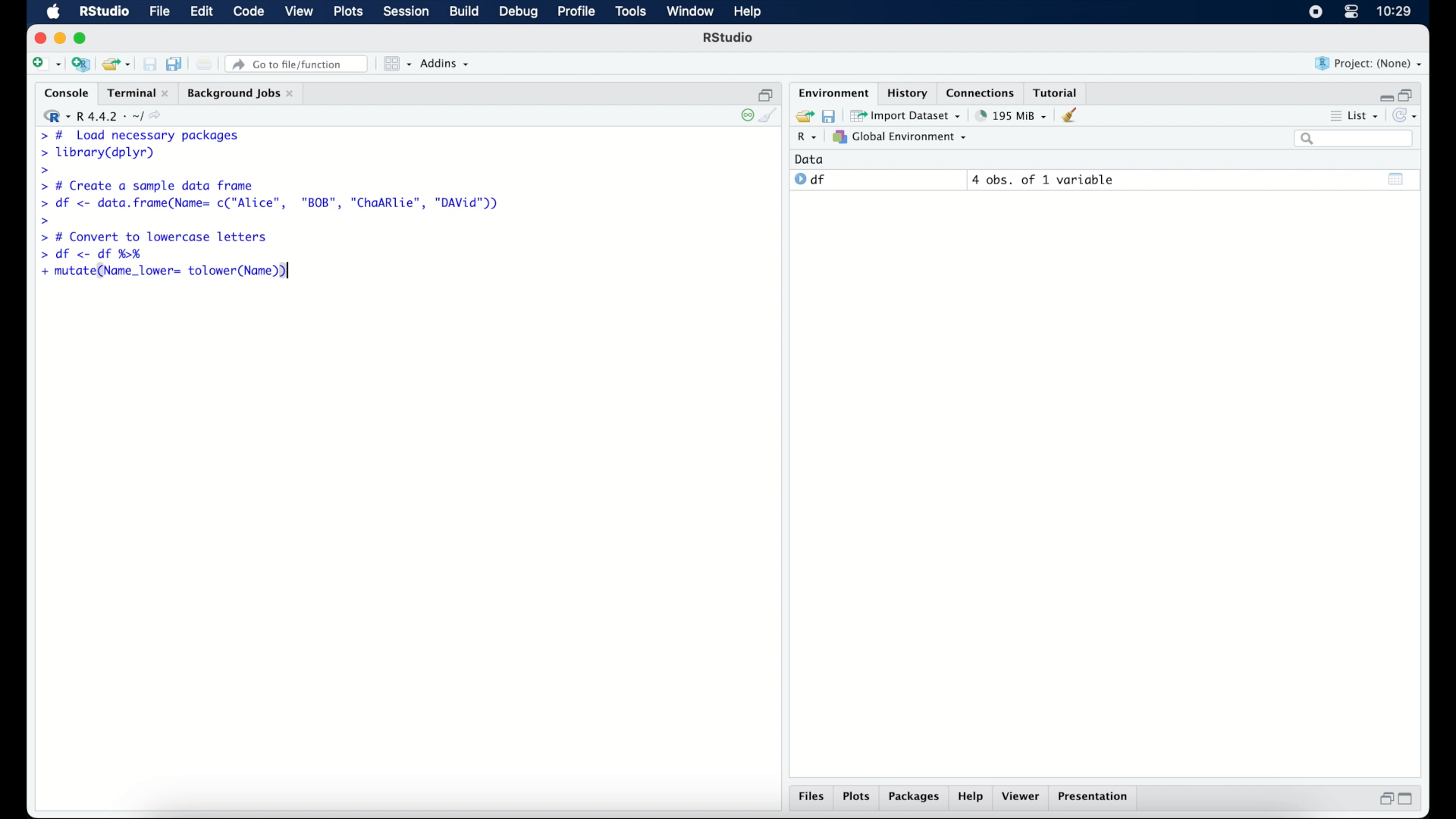 This screenshot has height=819, width=1456. I want to click on load workspace, so click(802, 115).